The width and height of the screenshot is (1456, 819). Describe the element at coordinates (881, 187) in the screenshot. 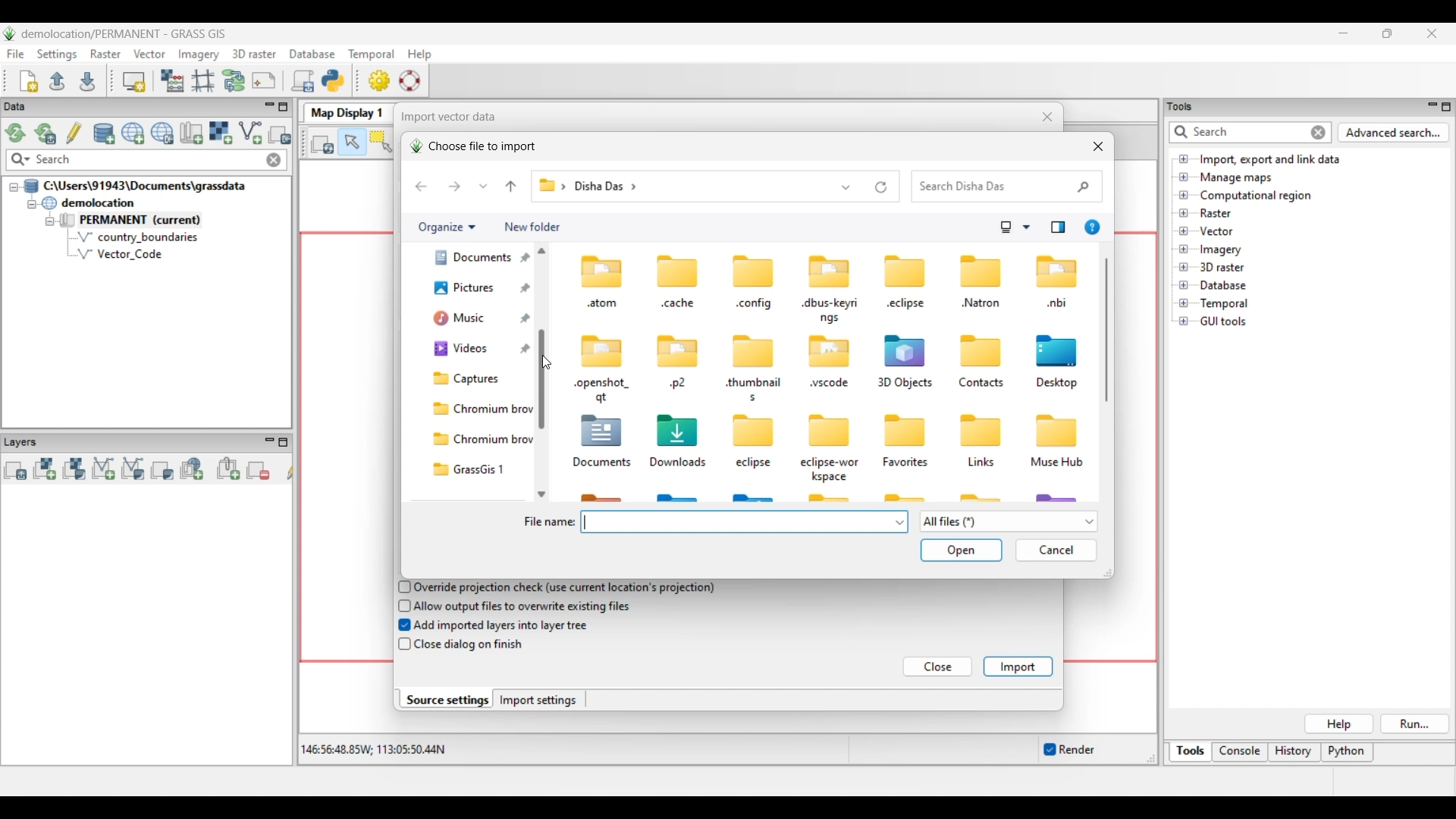

I see `Refresh current folder` at that location.